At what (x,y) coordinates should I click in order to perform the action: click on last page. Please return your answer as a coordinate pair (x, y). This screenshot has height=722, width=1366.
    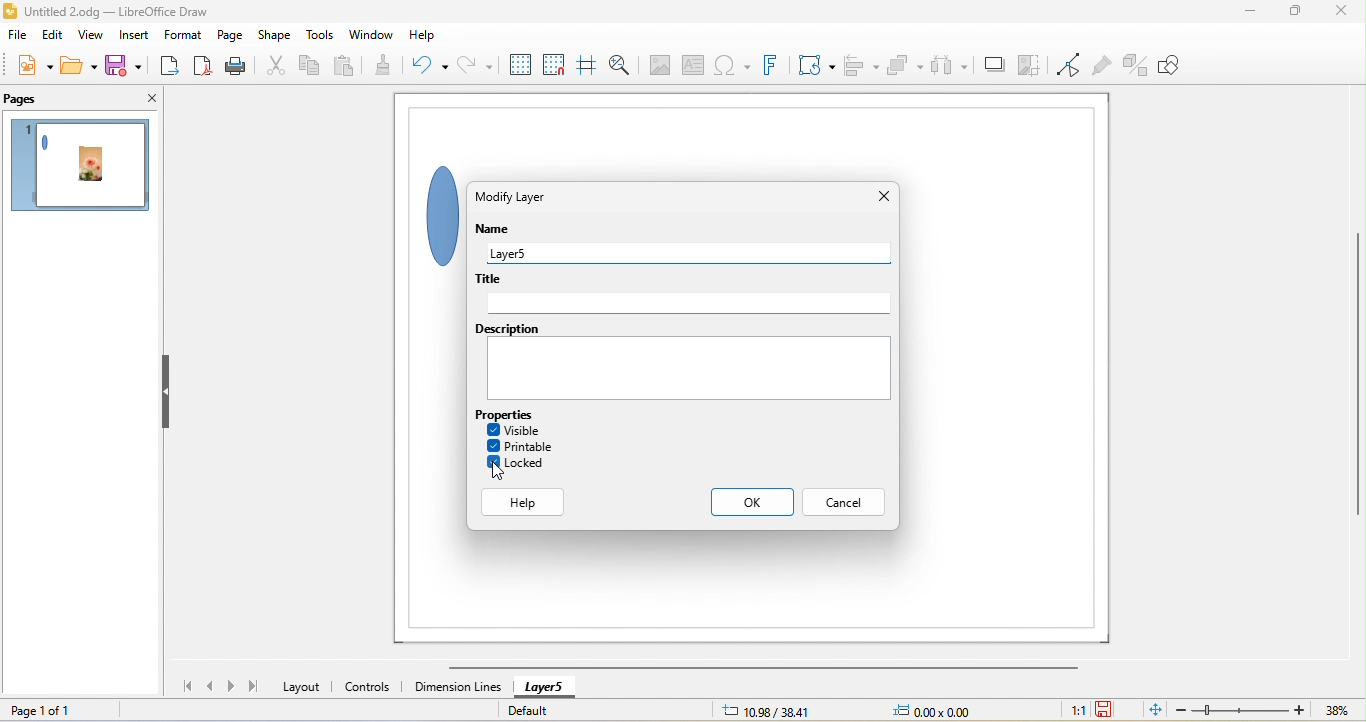
    Looking at the image, I should click on (254, 685).